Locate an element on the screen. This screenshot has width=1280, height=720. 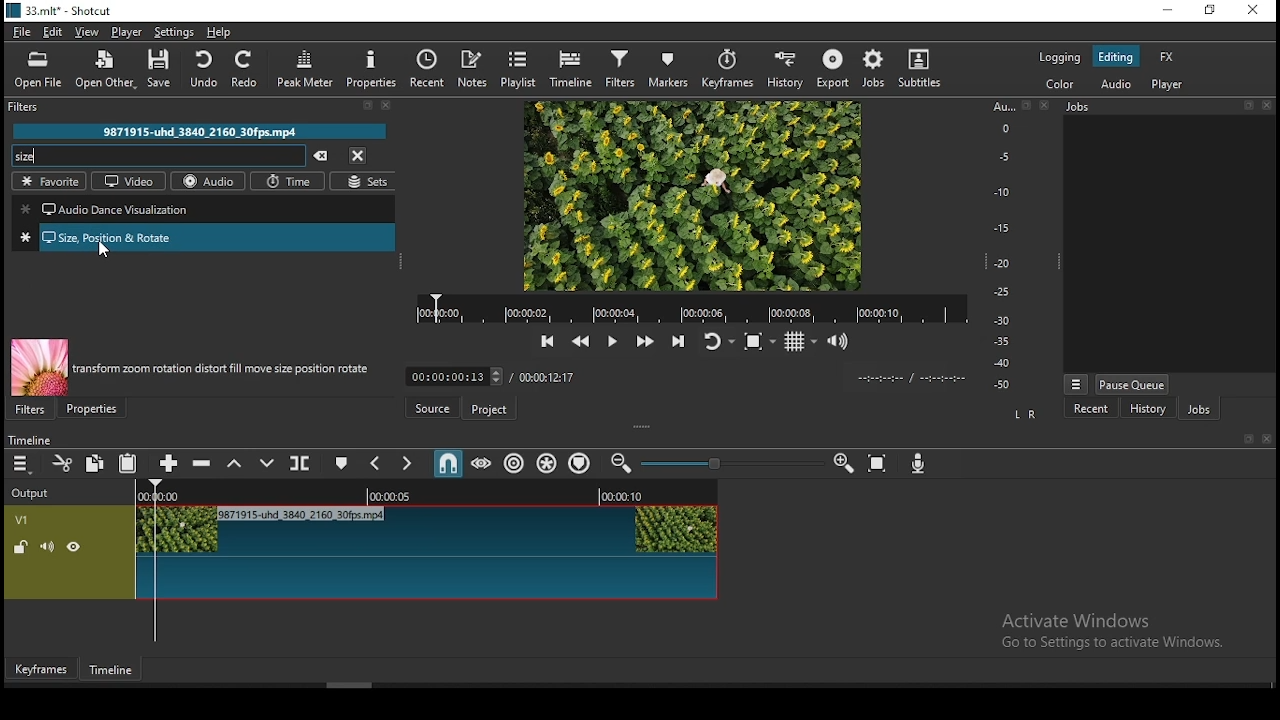
more is located at coordinates (1074, 383).